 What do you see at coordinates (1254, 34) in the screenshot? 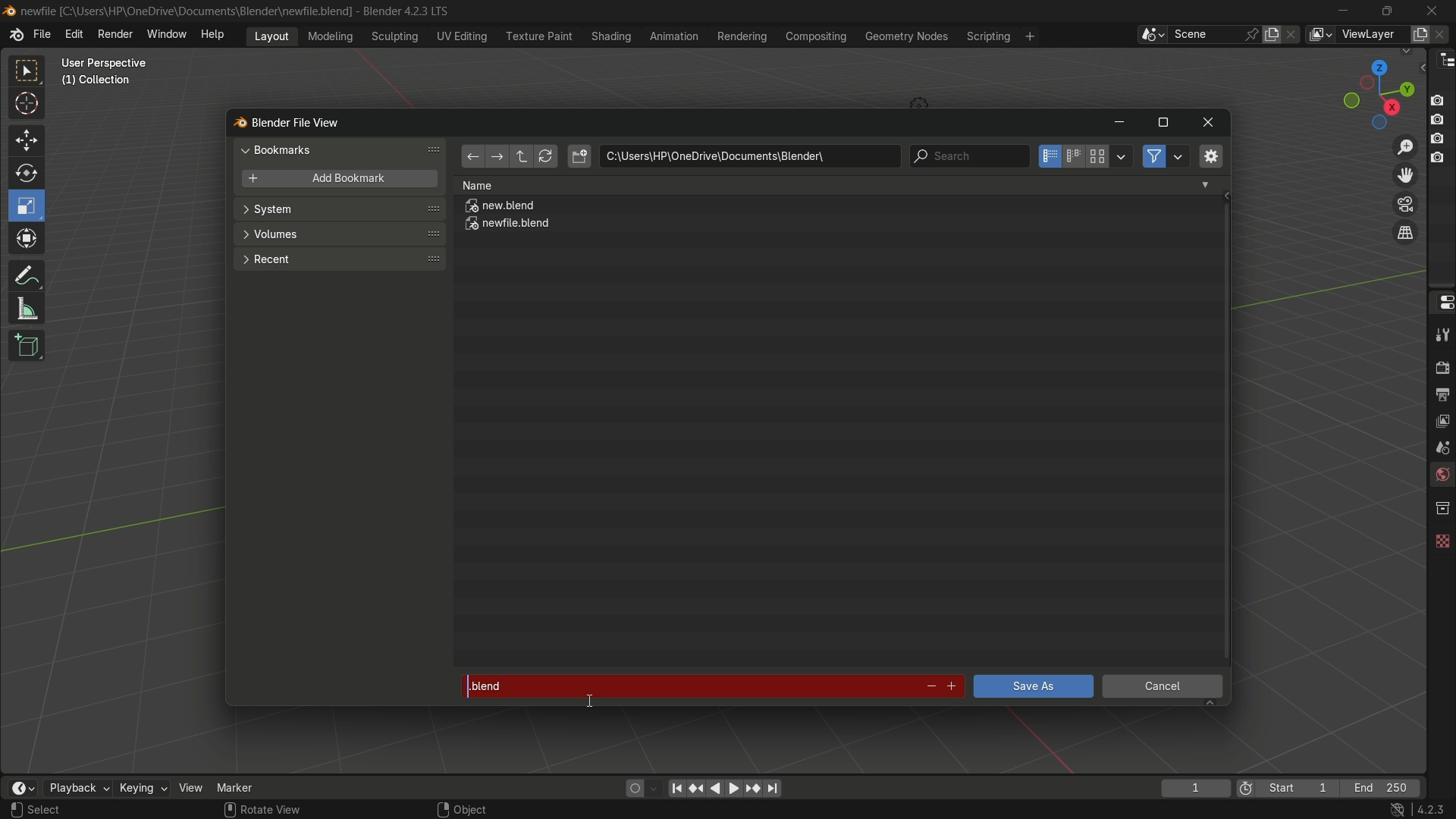
I see `pin scene to workplace` at bounding box center [1254, 34].